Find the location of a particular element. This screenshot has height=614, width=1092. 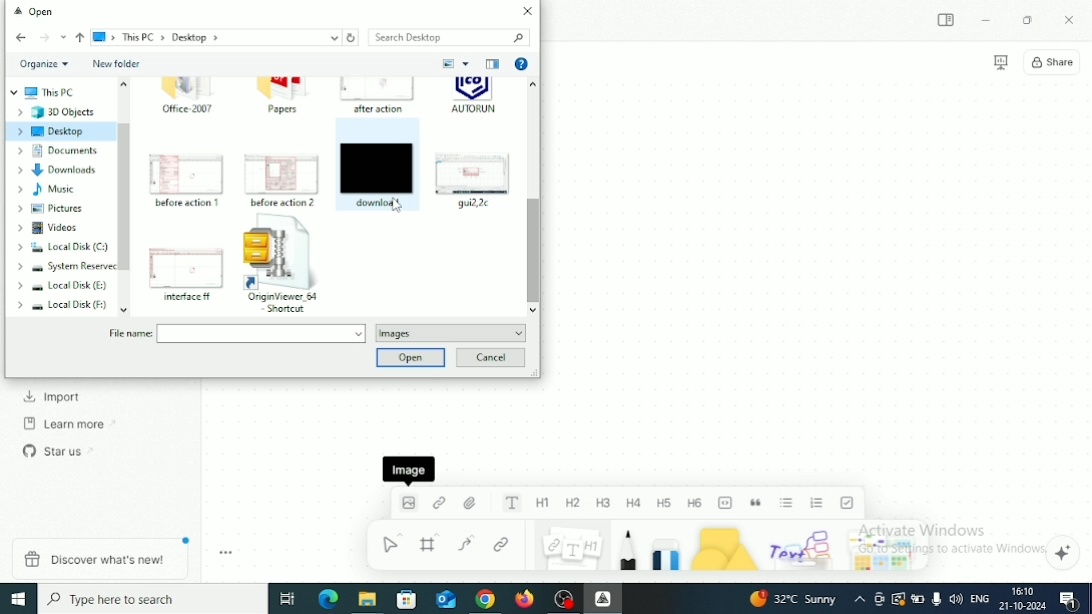

Open is located at coordinates (410, 357).